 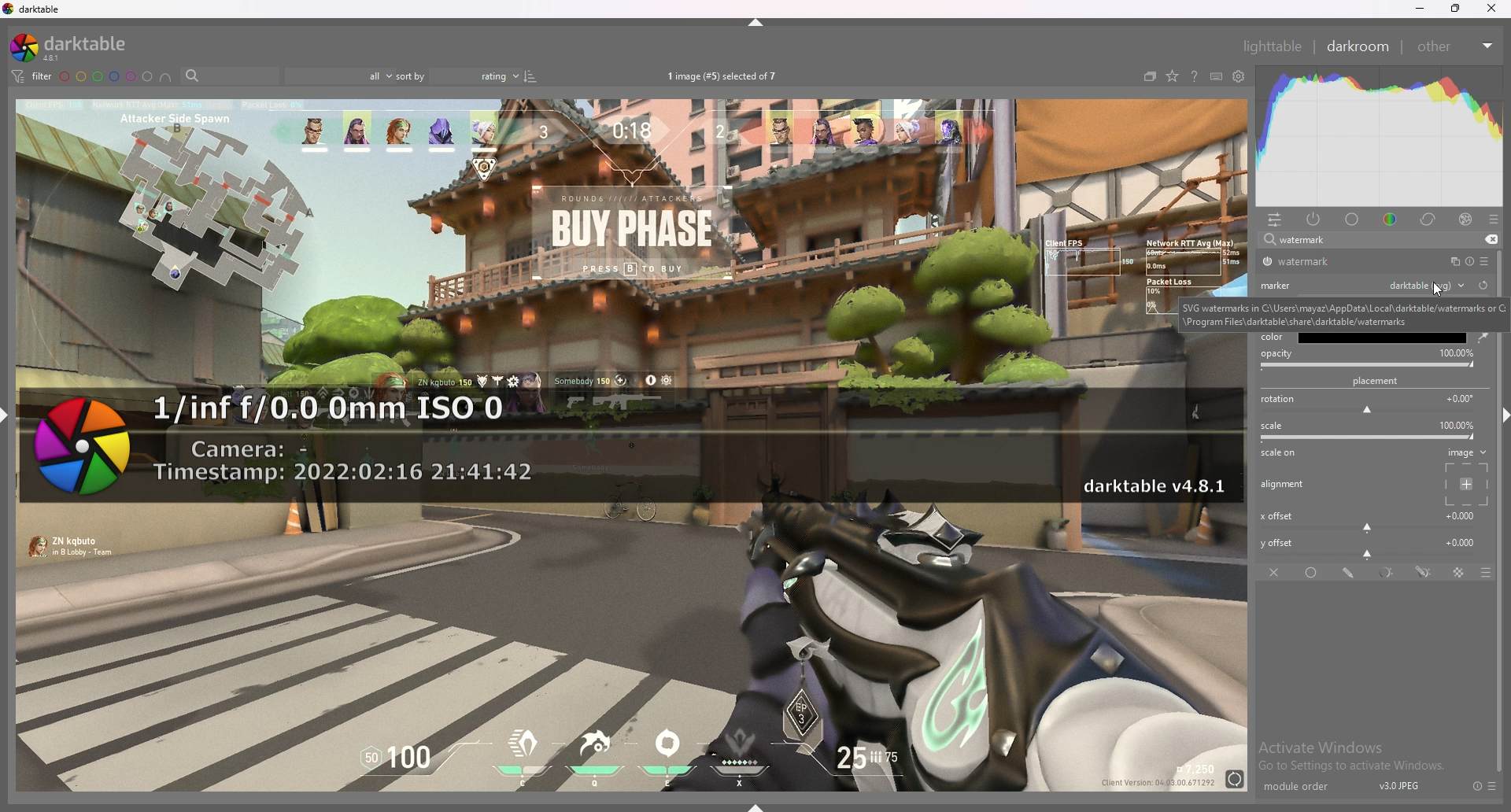 I want to click on darktable, so click(x=75, y=47).